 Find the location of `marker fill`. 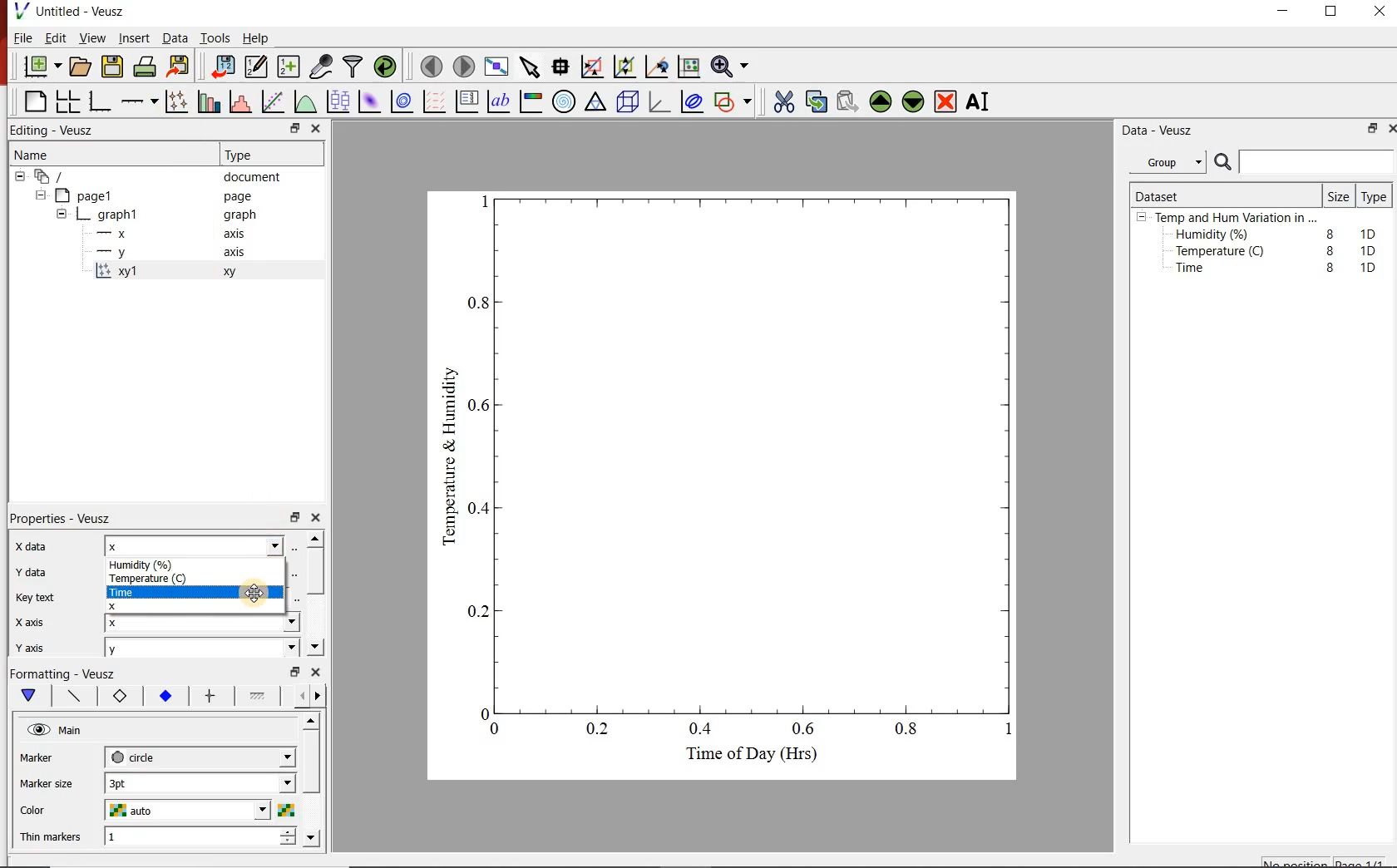

marker fill is located at coordinates (165, 696).